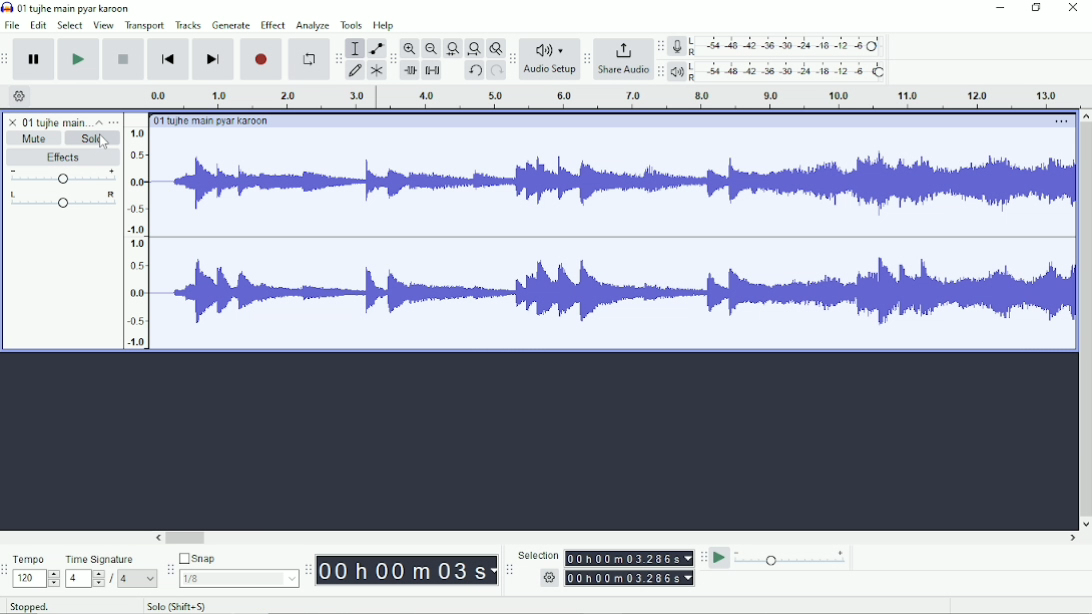  Describe the element at coordinates (123, 59) in the screenshot. I see `Stop` at that location.